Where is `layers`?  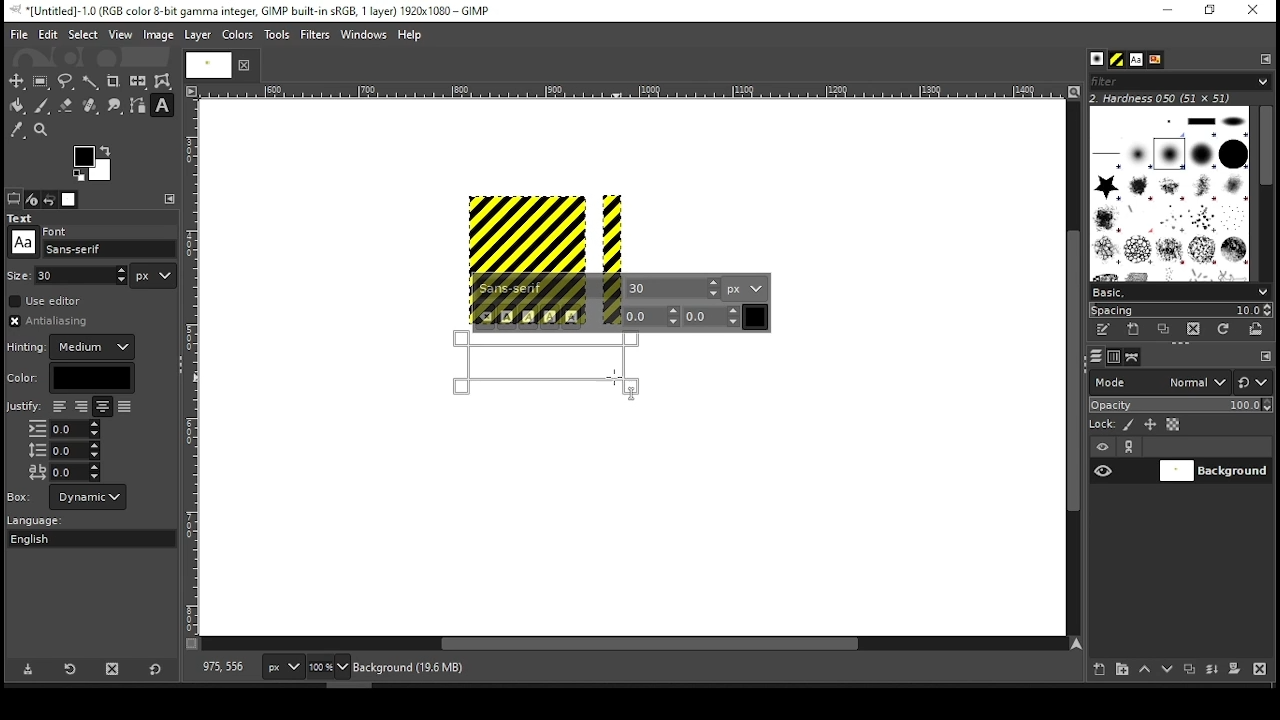
layers is located at coordinates (1095, 357).